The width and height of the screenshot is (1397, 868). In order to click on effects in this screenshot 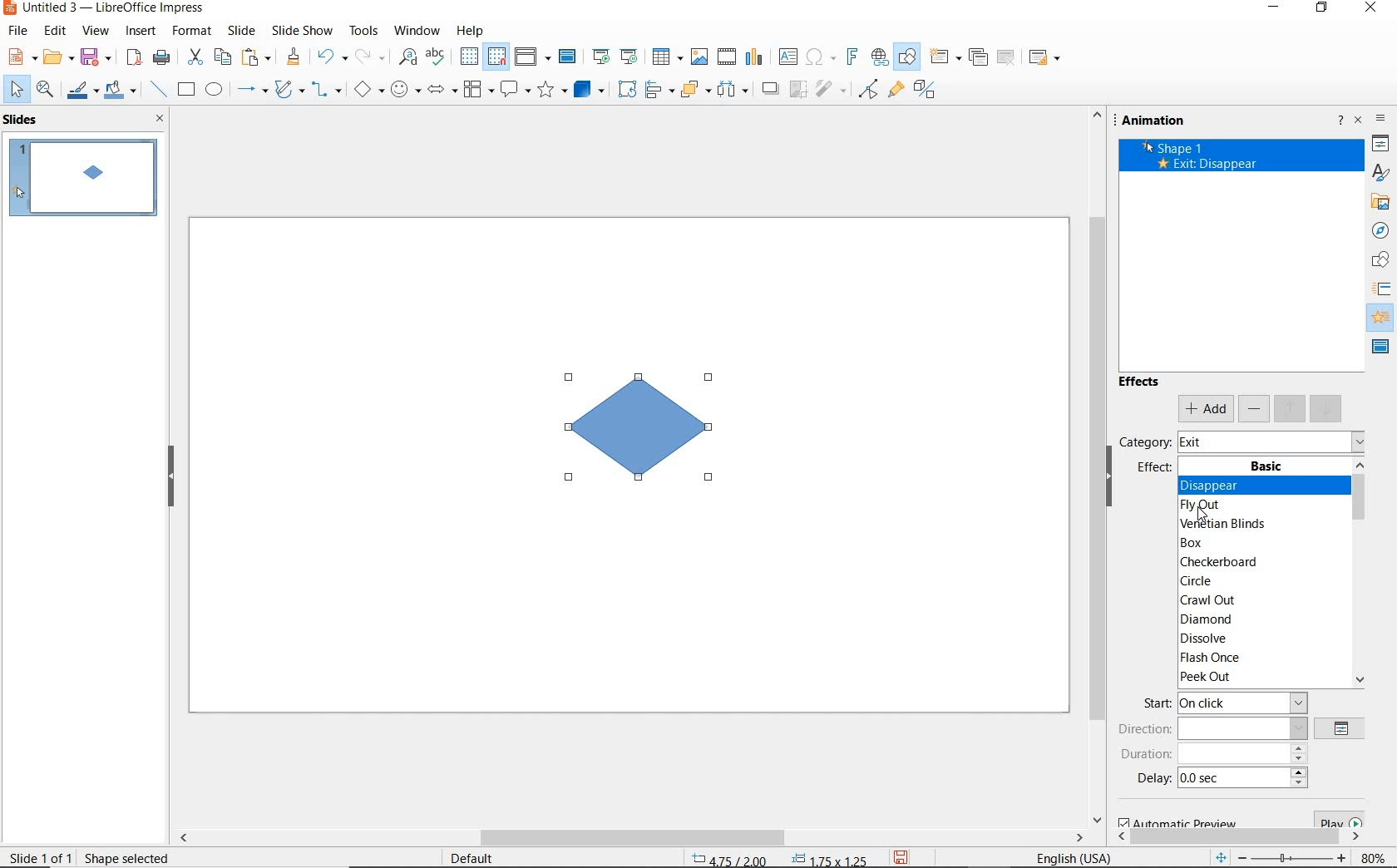, I will do `click(1141, 381)`.